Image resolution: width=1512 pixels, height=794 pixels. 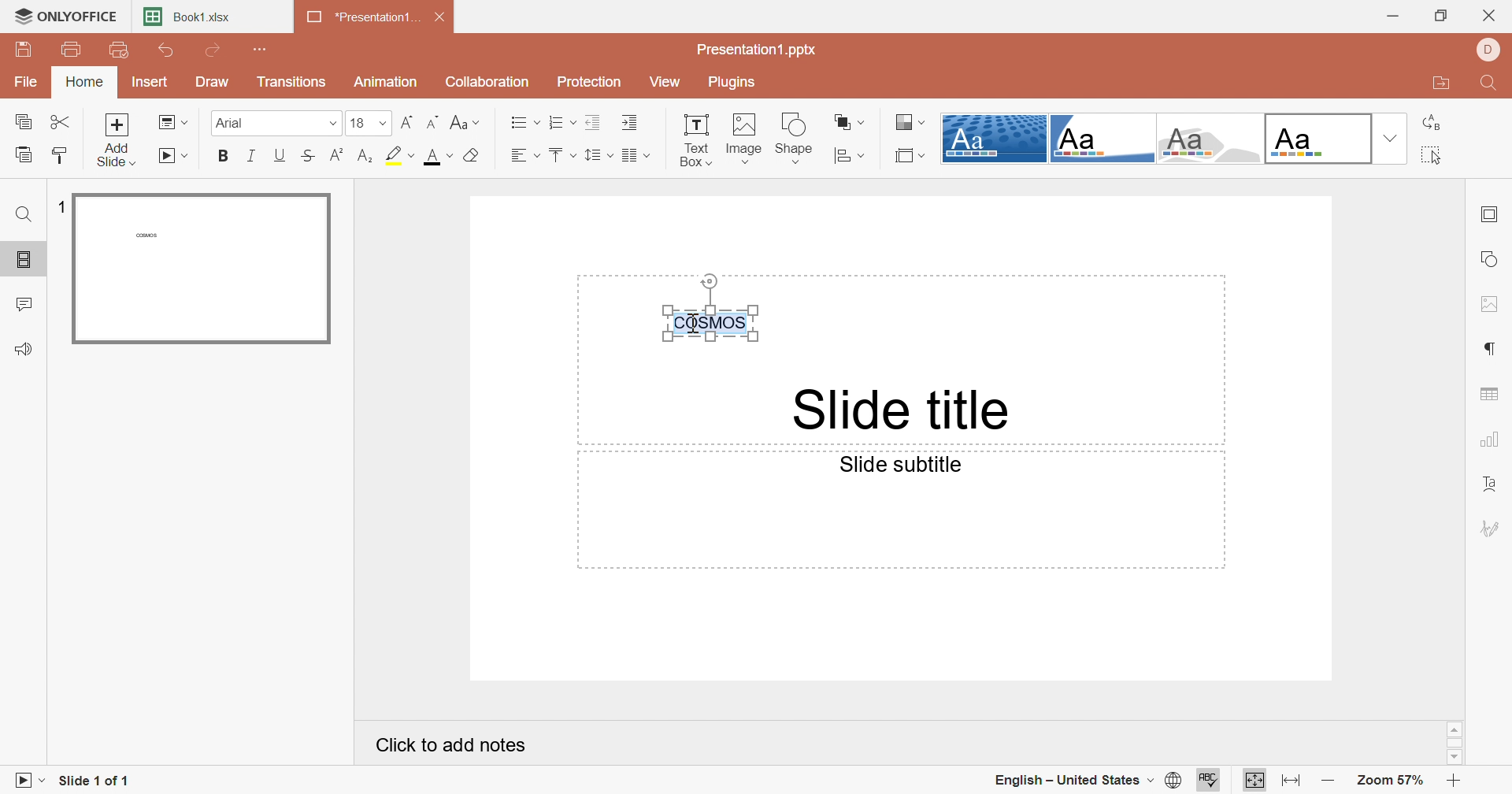 What do you see at coordinates (438, 17) in the screenshot?
I see `Close` at bounding box center [438, 17].